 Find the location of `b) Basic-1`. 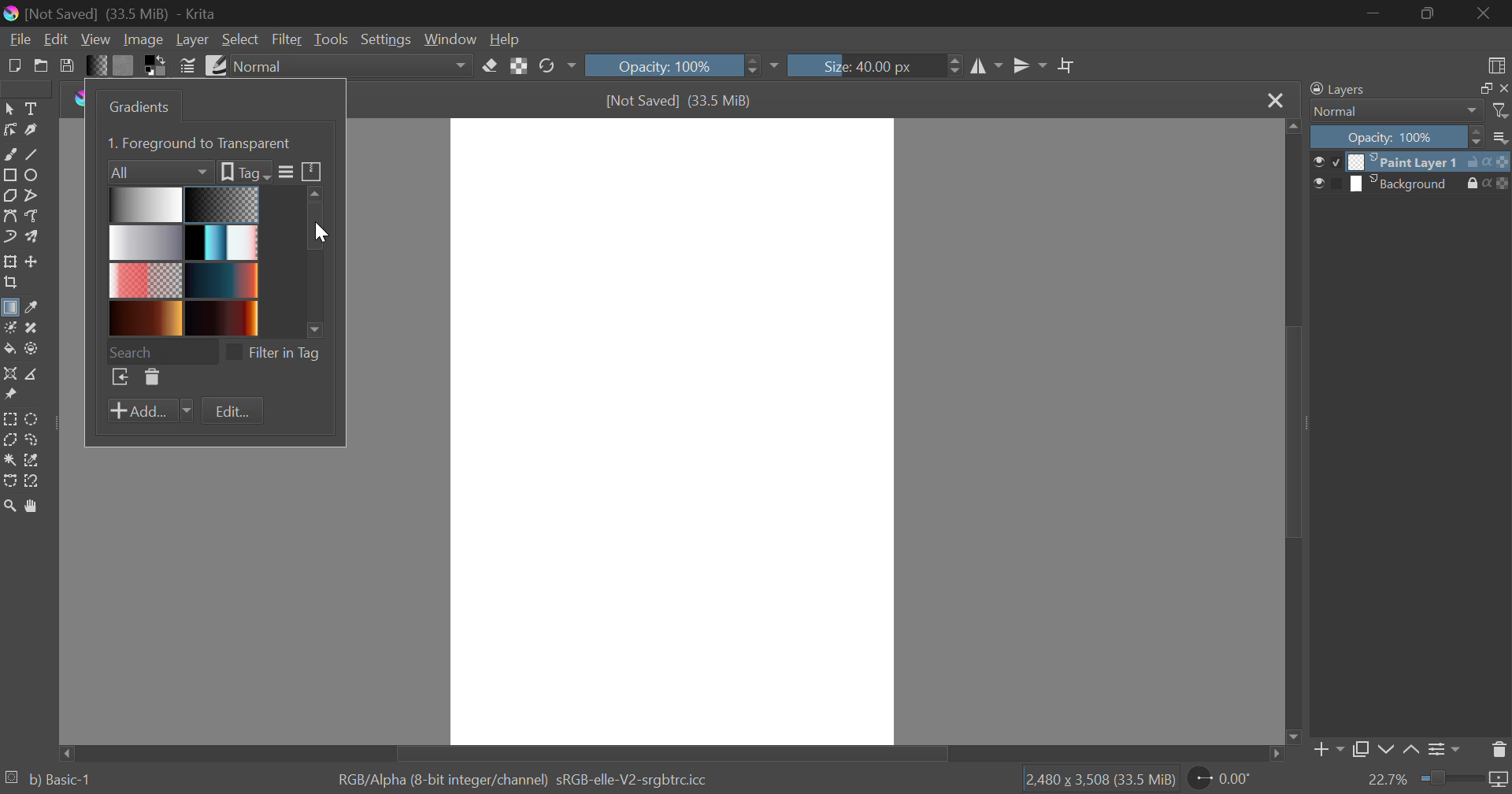

b) Basic-1 is located at coordinates (49, 781).